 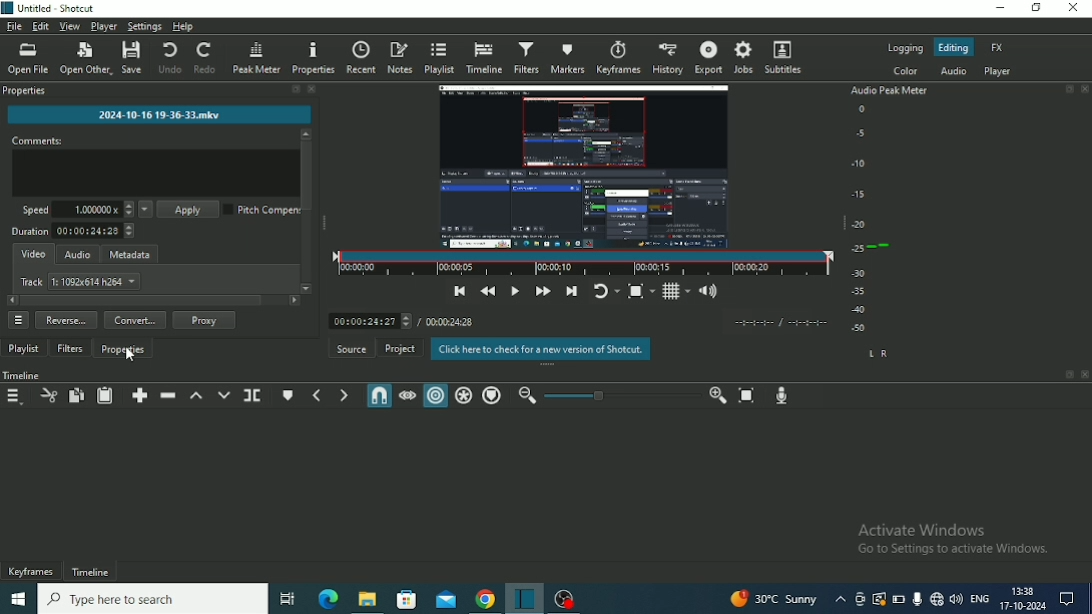 I want to click on Record audio, so click(x=781, y=396).